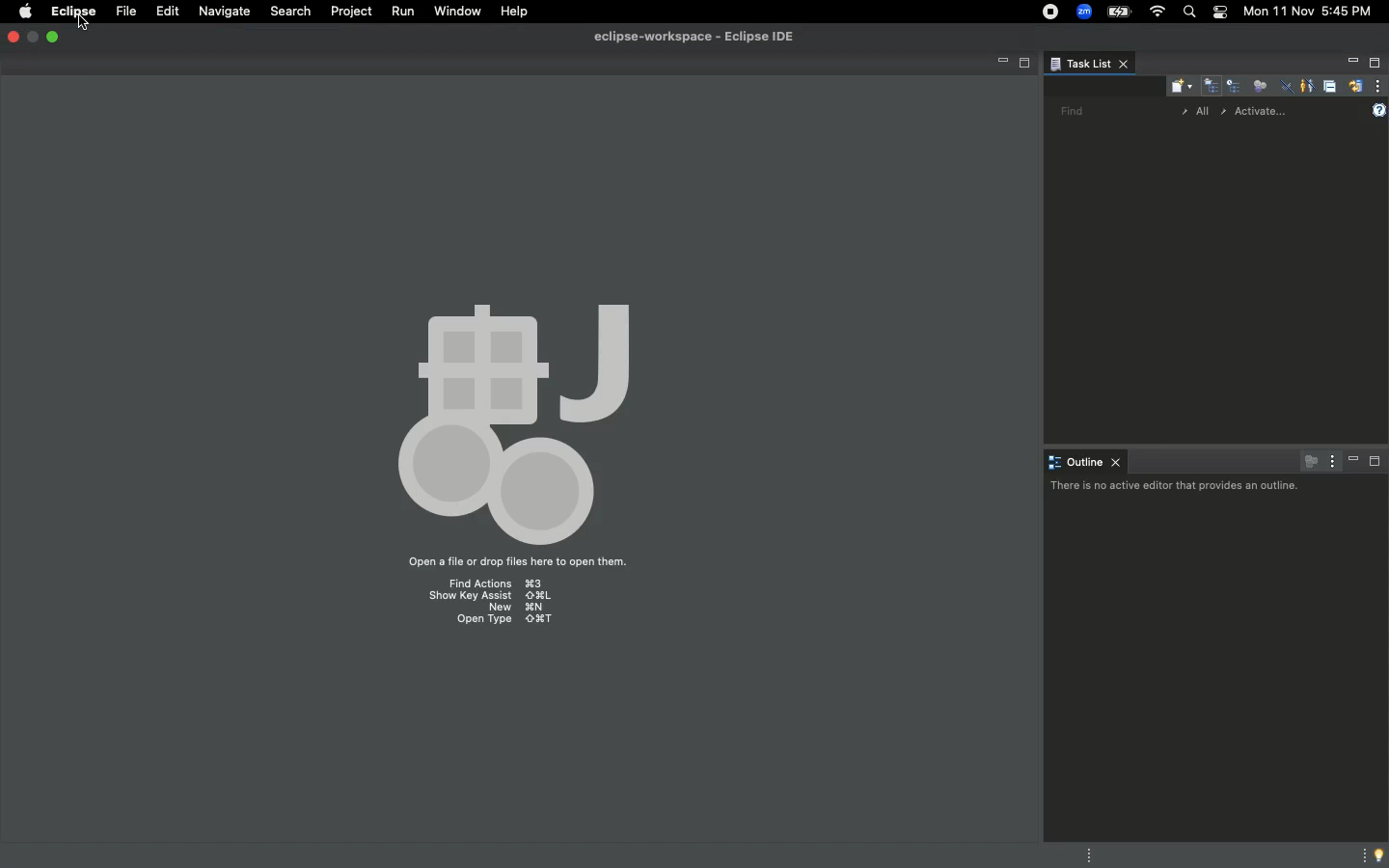 This screenshot has height=868, width=1389. I want to click on Tip of the day, so click(1375, 854).